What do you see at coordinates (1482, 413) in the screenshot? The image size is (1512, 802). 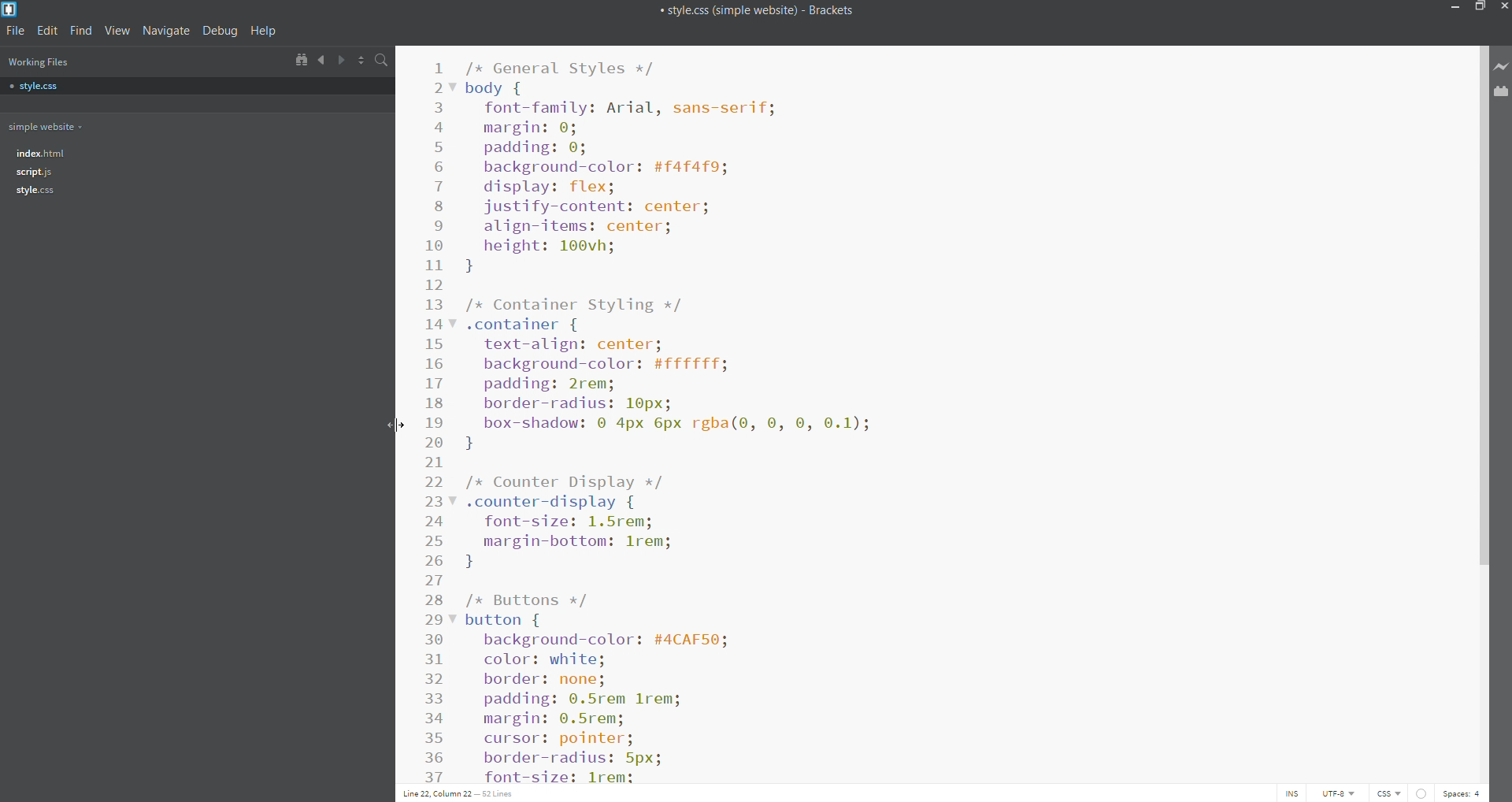 I see `scroll bar` at bounding box center [1482, 413].